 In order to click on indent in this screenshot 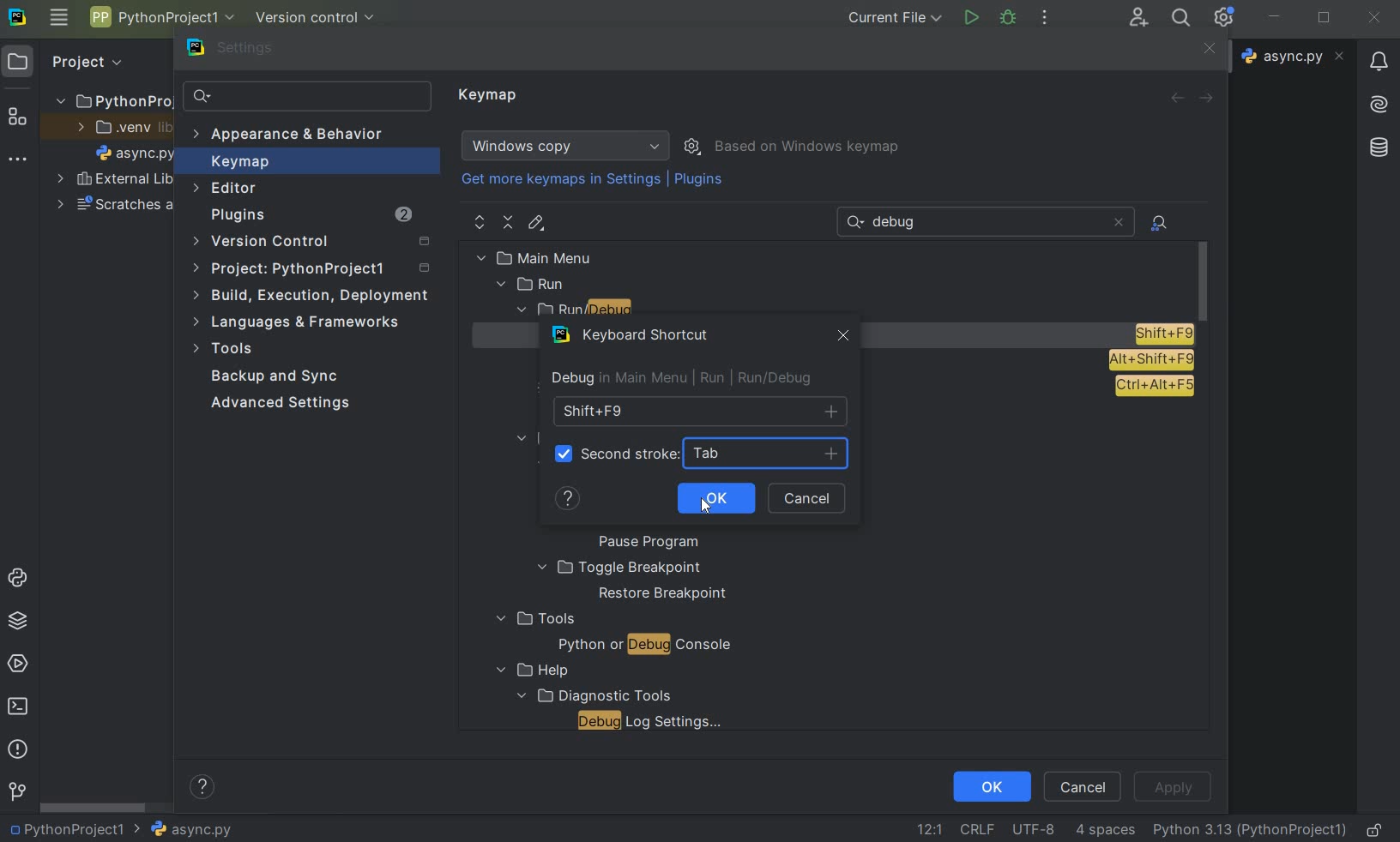, I will do `click(1105, 830)`.